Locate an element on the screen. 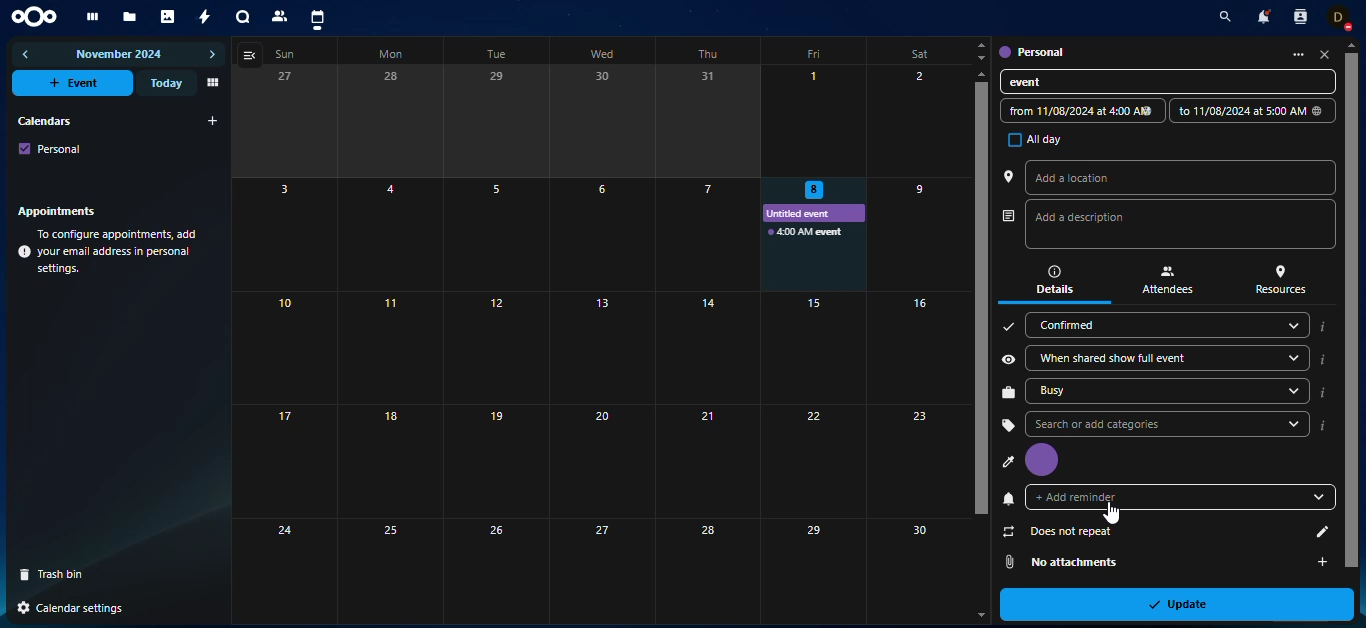  profile is located at coordinates (1008, 463).